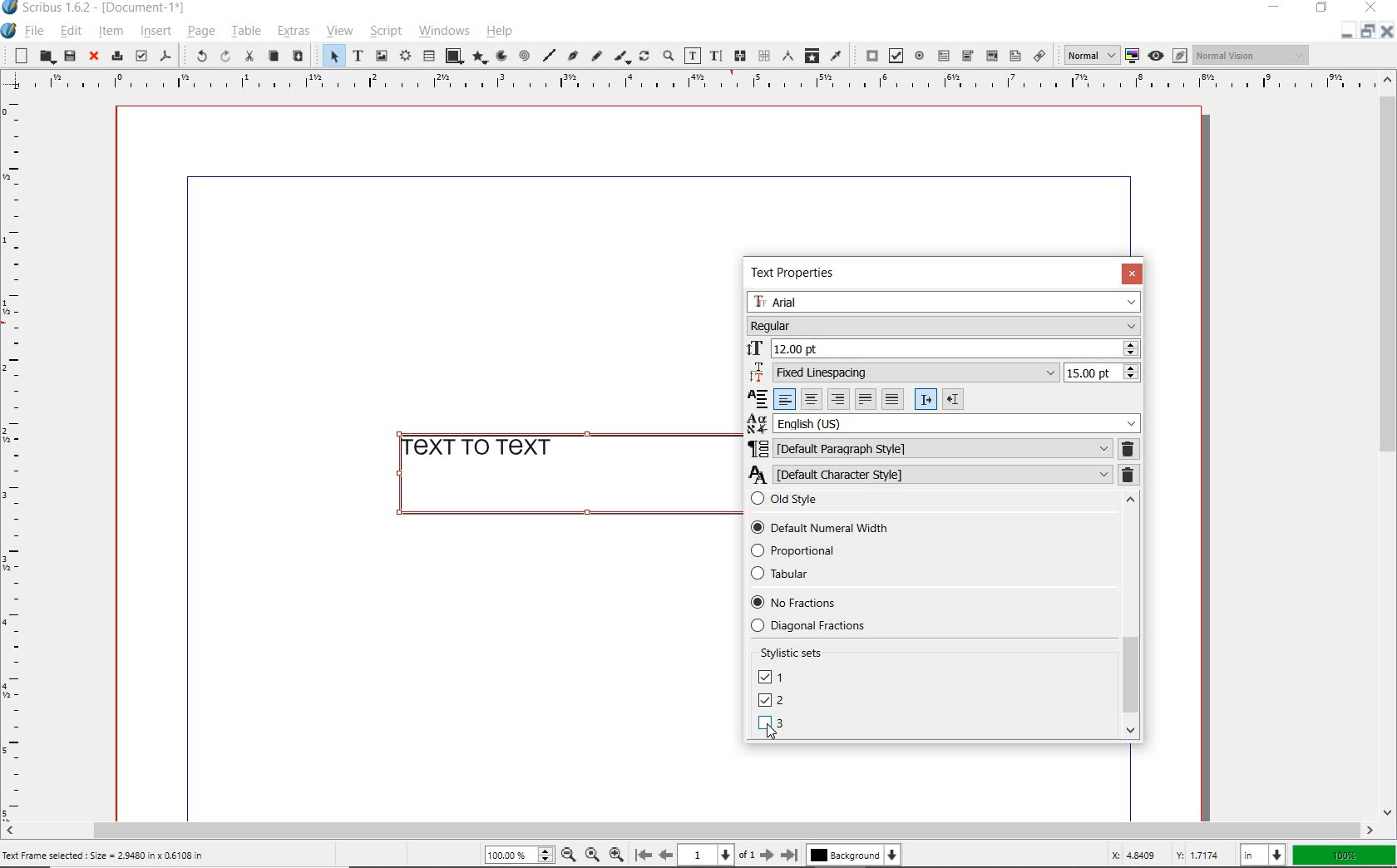 This screenshot has width=1397, height=868. Describe the element at coordinates (69, 56) in the screenshot. I see `save` at that location.